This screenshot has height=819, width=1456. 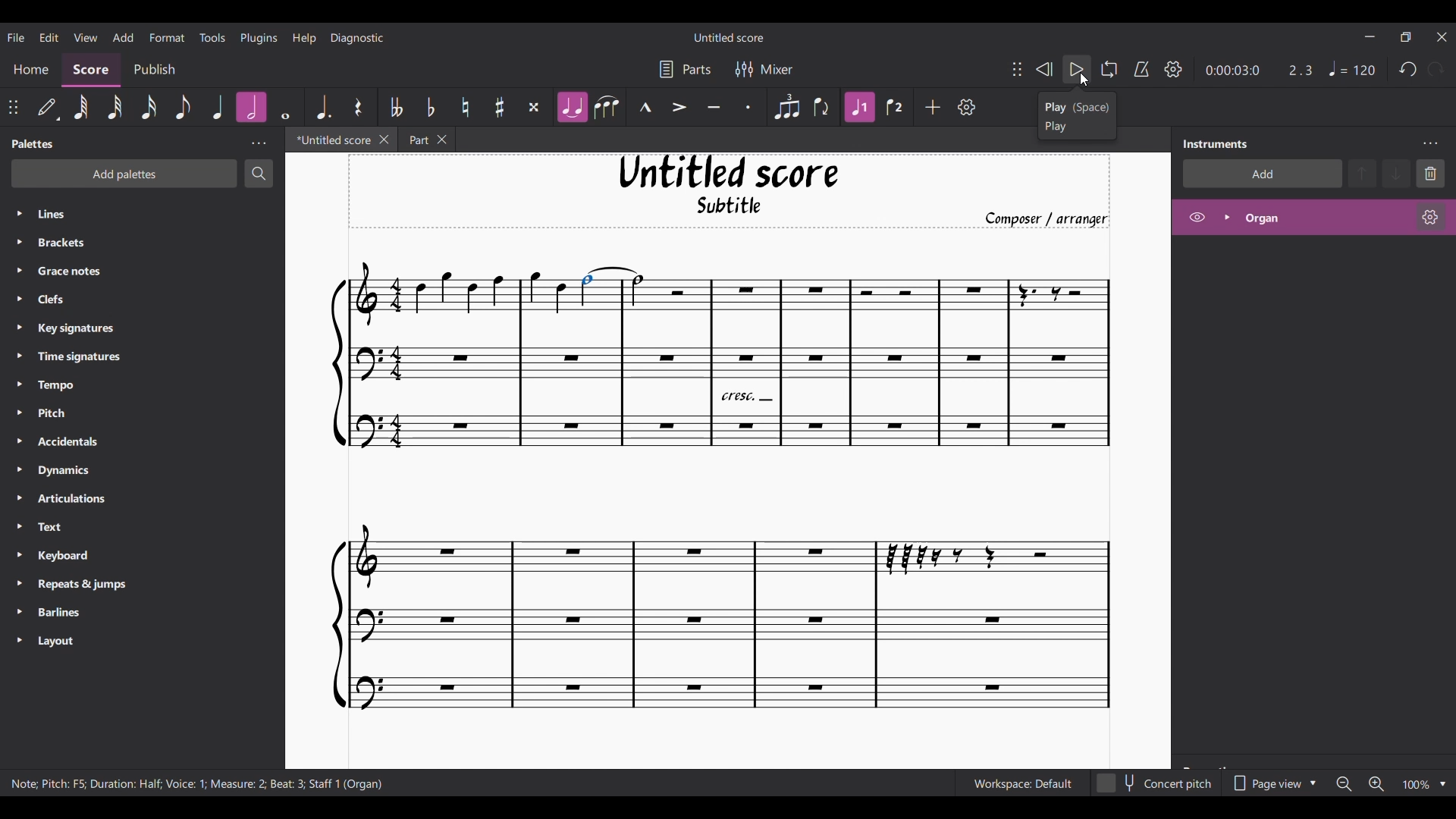 What do you see at coordinates (395, 107) in the screenshot?
I see `Toggle double flat` at bounding box center [395, 107].